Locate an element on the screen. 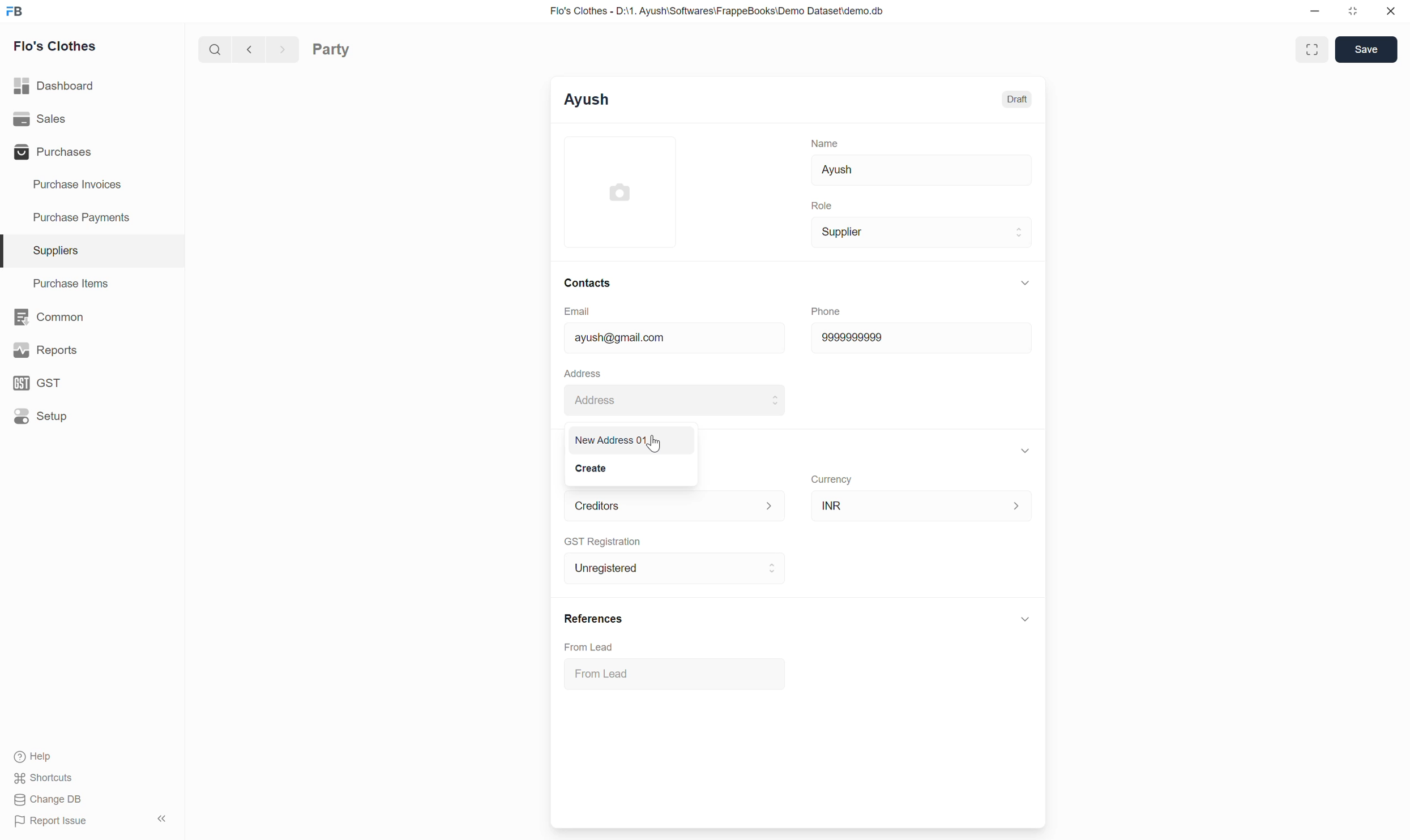 This screenshot has height=840, width=1410. Click to add image is located at coordinates (620, 191).